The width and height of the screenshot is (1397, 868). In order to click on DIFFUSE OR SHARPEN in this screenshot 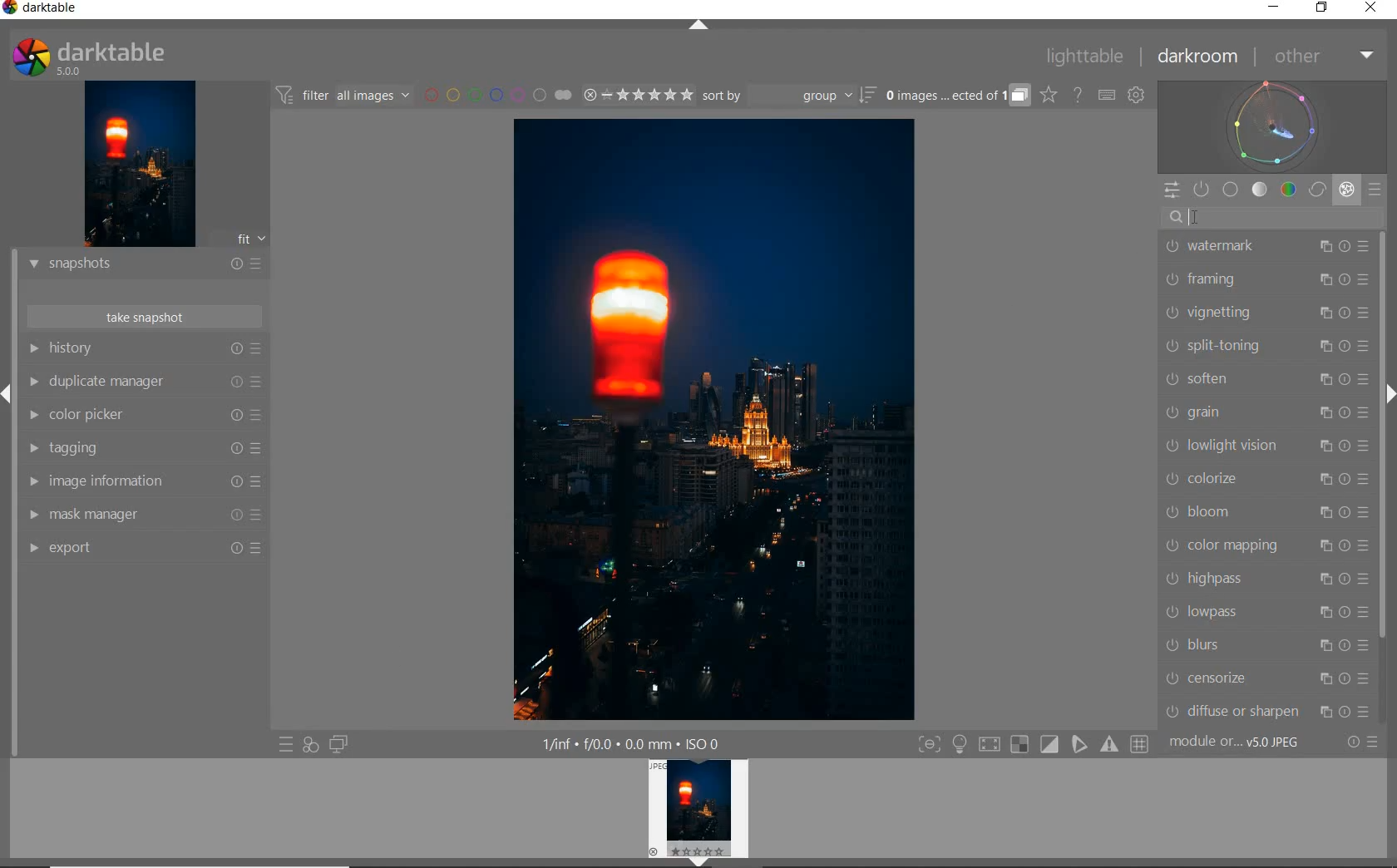, I will do `click(1228, 711)`.